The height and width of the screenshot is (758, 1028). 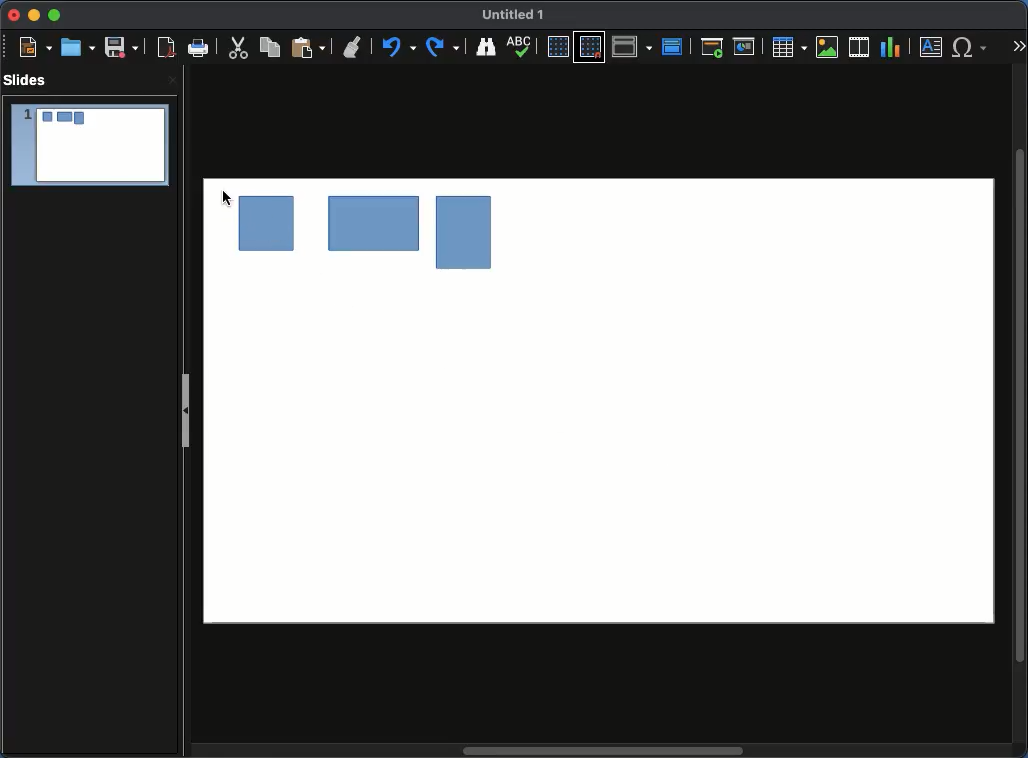 I want to click on Master slide, so click(x=675, y=45).